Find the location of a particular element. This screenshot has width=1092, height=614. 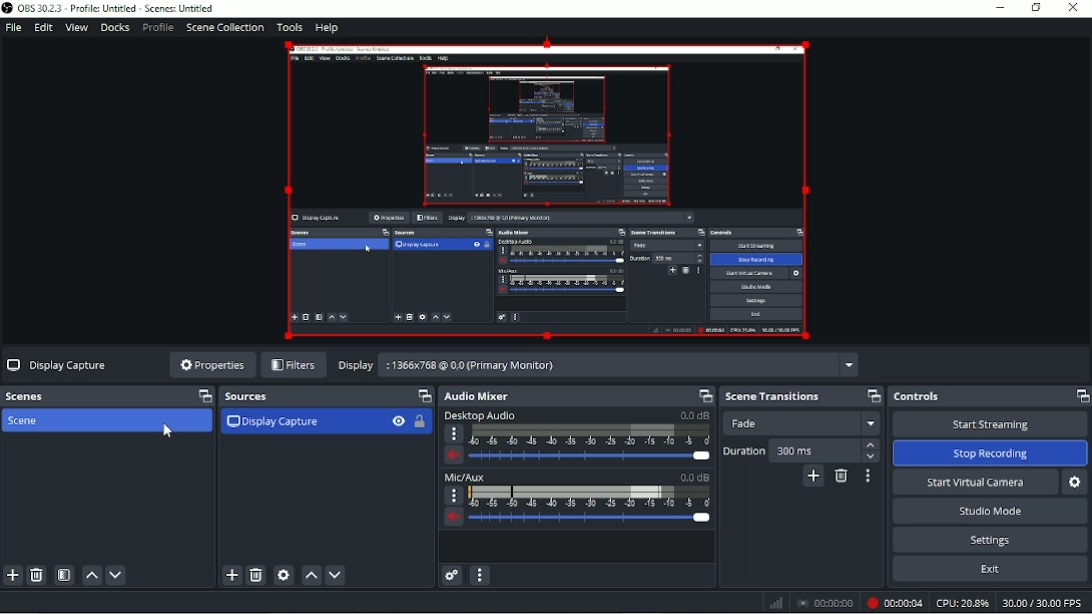

Maximize is located at coordinates (1081, 395).